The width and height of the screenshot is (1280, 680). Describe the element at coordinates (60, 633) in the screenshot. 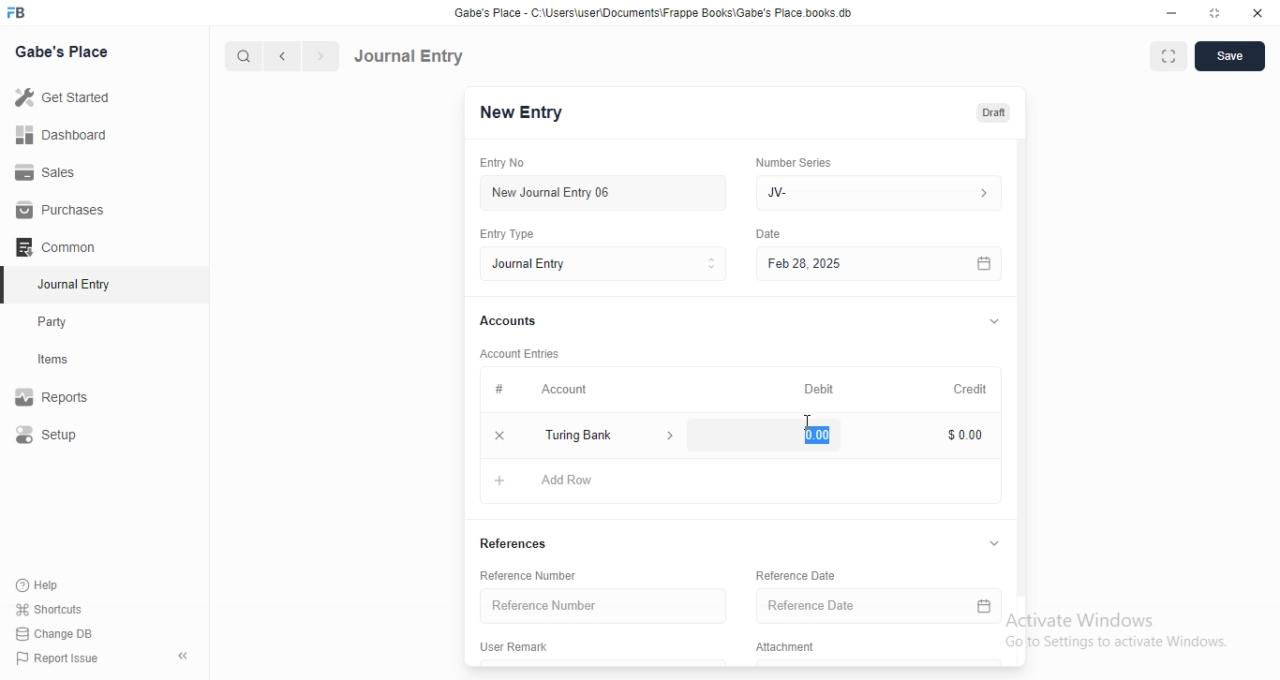

I see `Change DB` at that location.